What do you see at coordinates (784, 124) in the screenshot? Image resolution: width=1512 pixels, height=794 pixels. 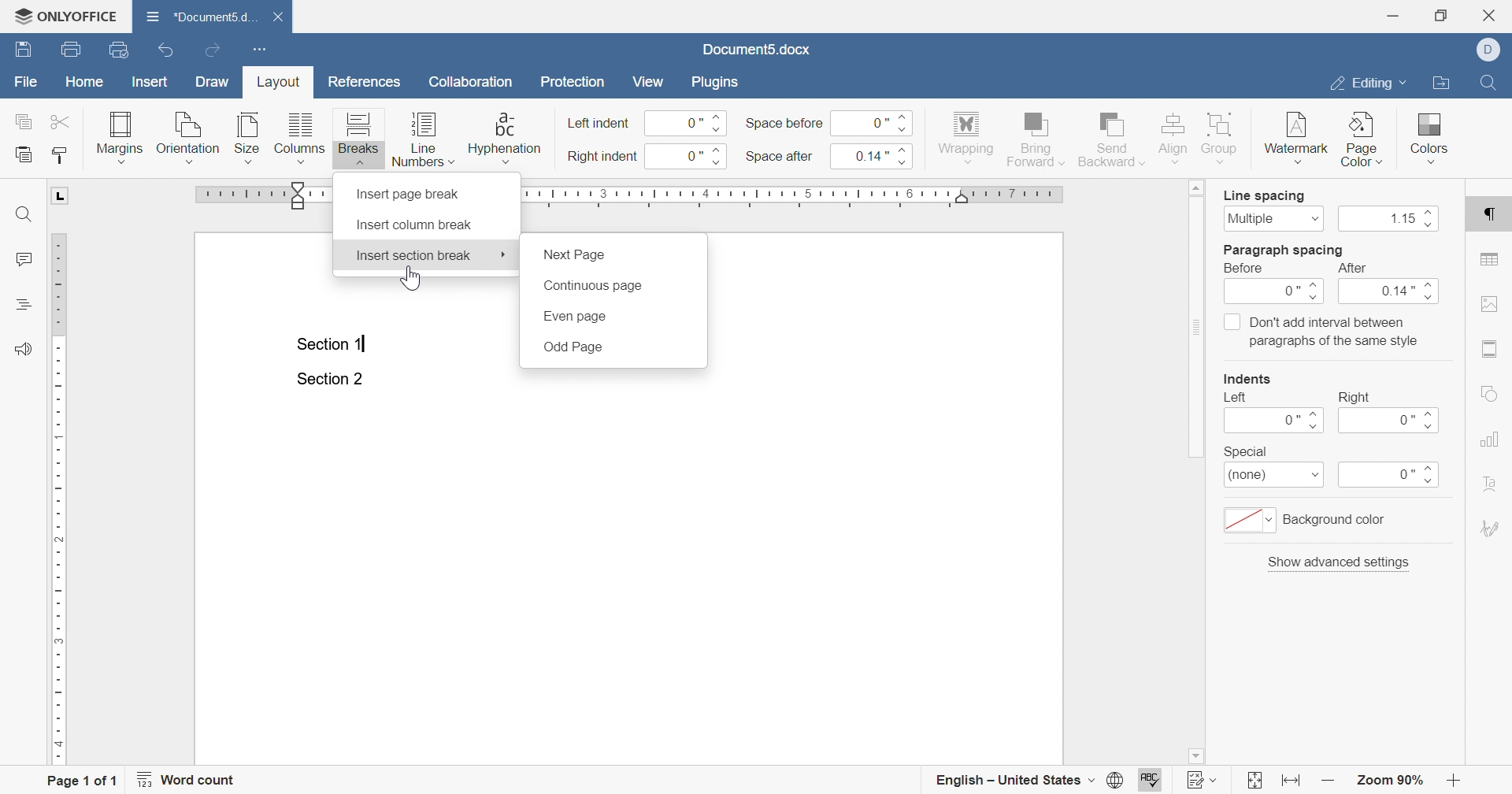 I see `space before` at bounding box center [784, 124].